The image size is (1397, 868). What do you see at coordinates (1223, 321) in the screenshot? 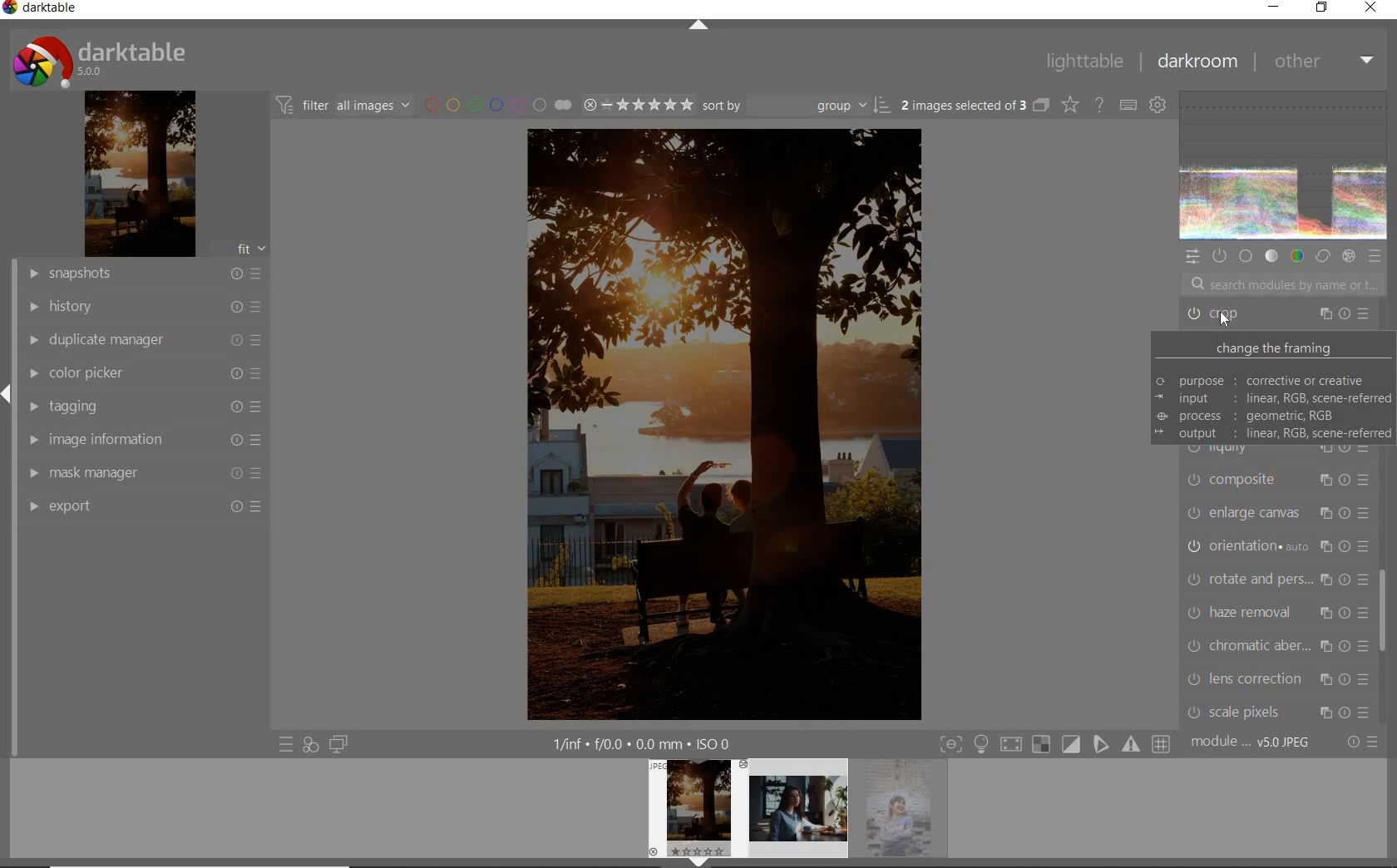
I see `CURSOR` at bounding box center [1223, 321].